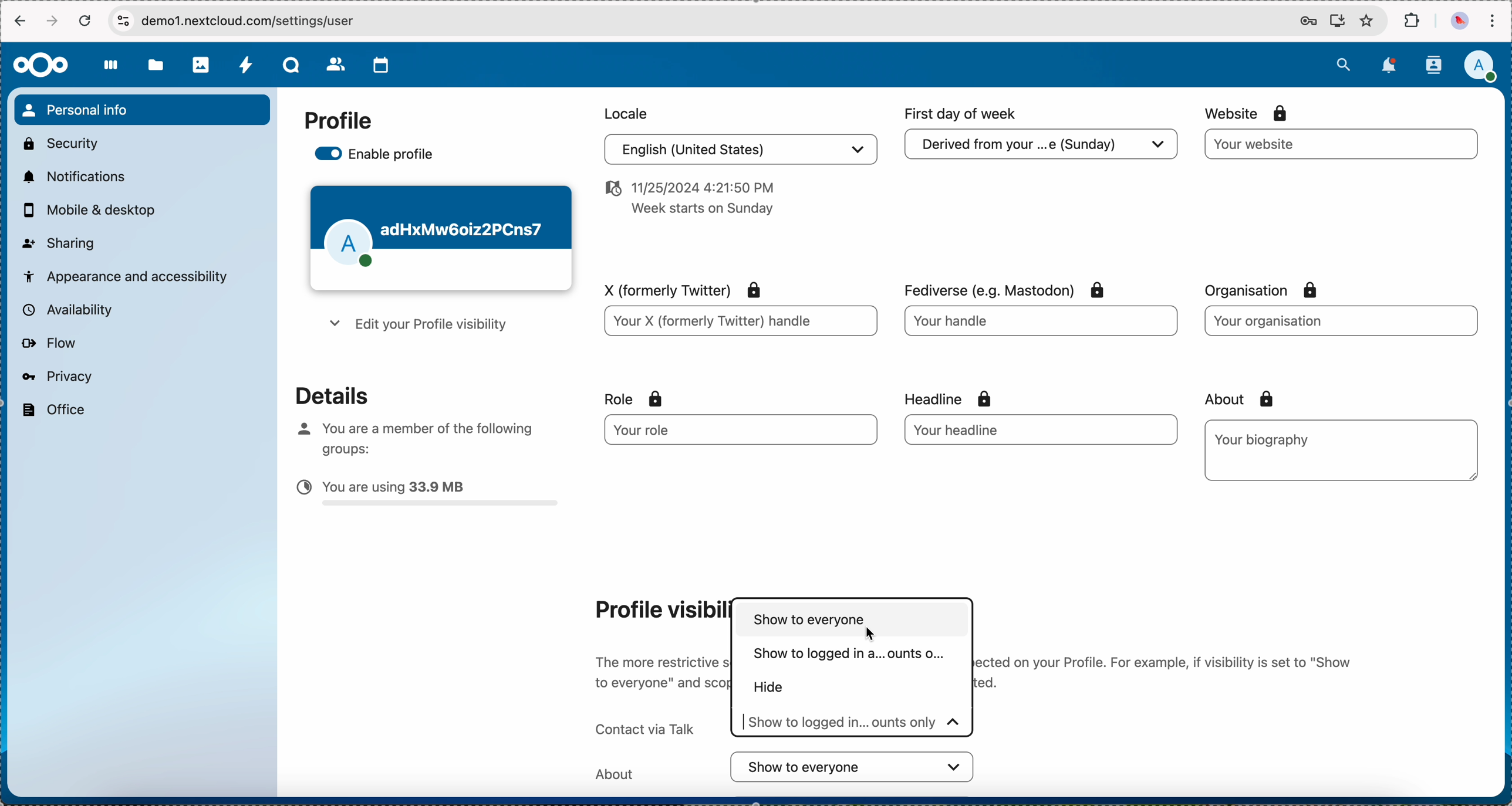  I want to click on refresh the page, so click(86, 21).